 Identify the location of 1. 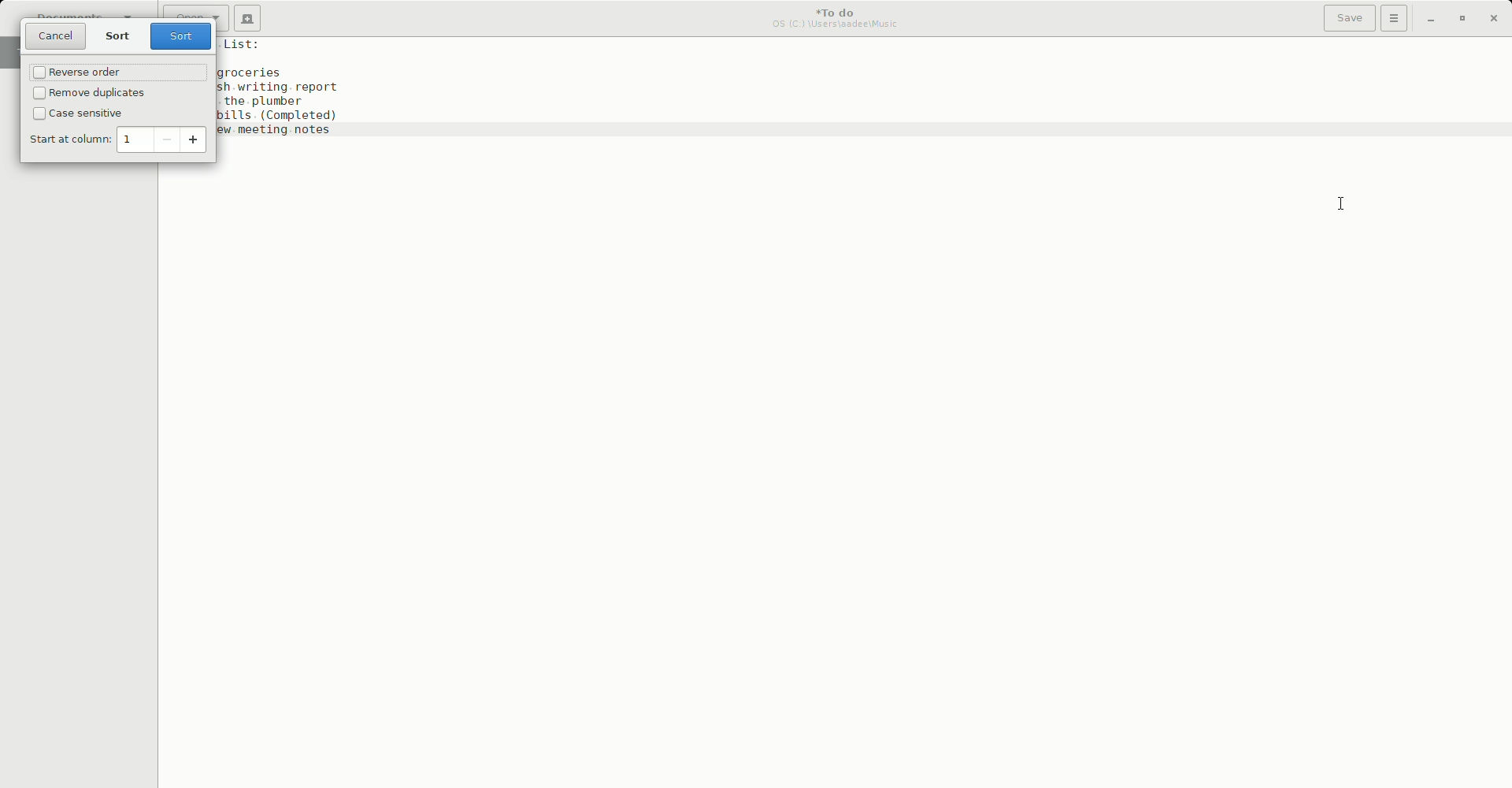
(131, 139).